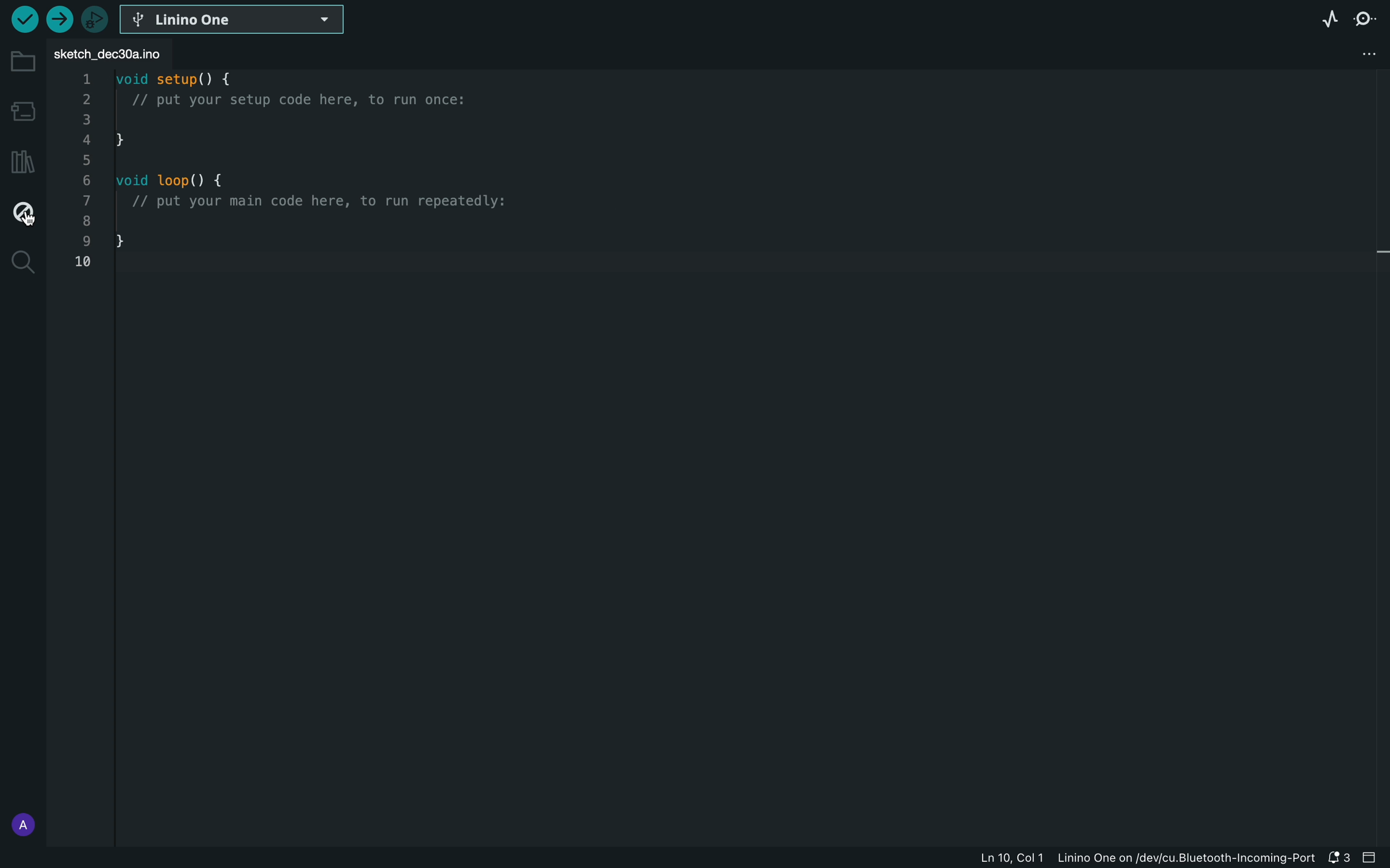 This screenshot has height=868, width=1390. I want to click on serial plotter, so click(1328, 19).